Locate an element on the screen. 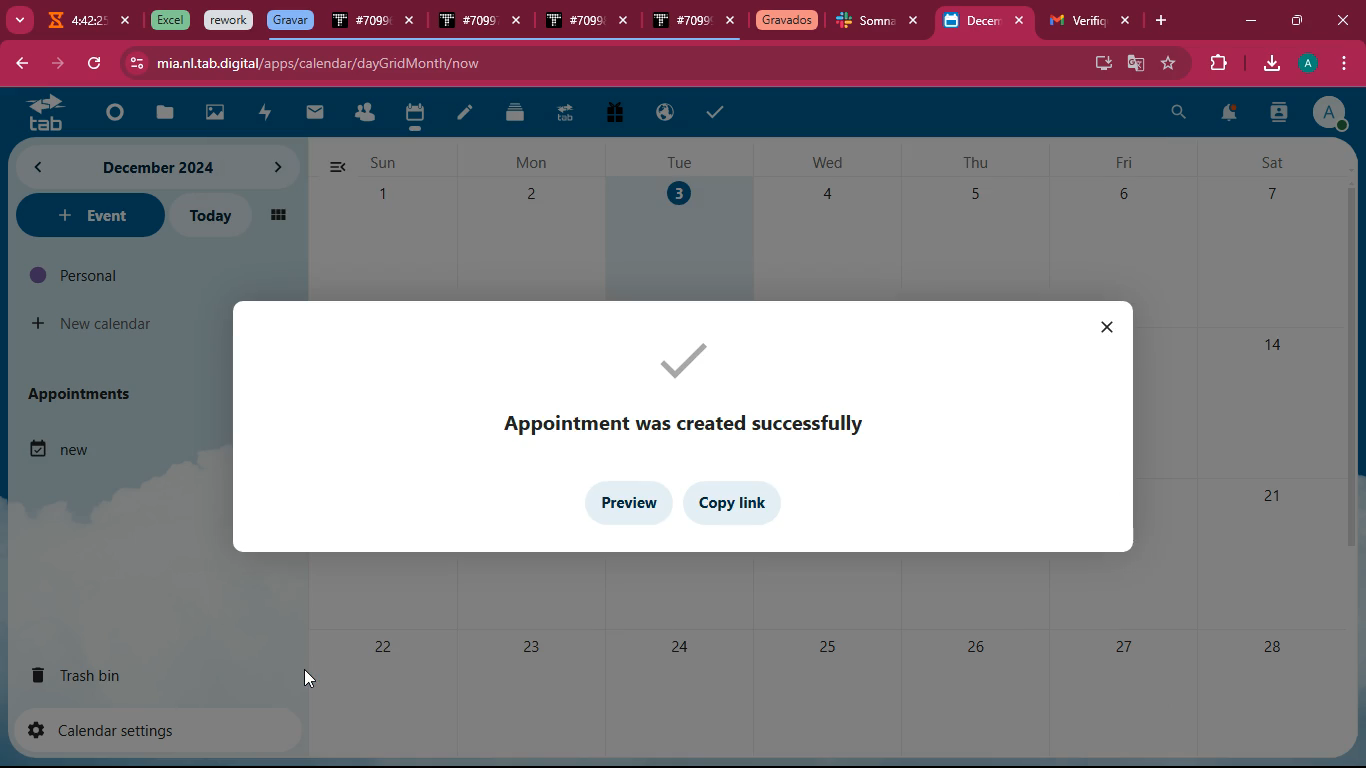  refresh is located at coordinates (94, 64).